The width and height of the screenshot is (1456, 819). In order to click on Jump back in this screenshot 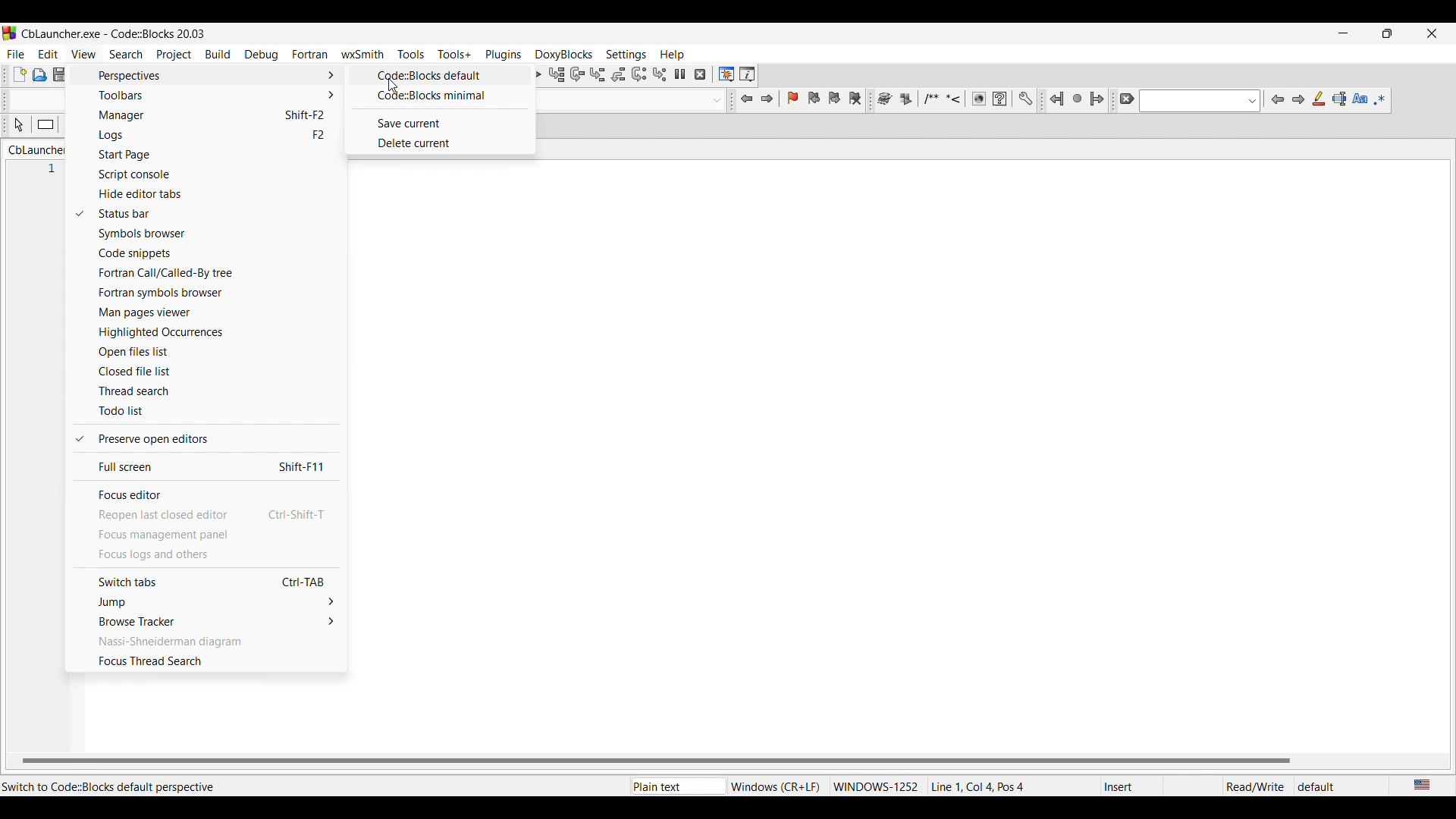, I will do `click(1057, 99)`.